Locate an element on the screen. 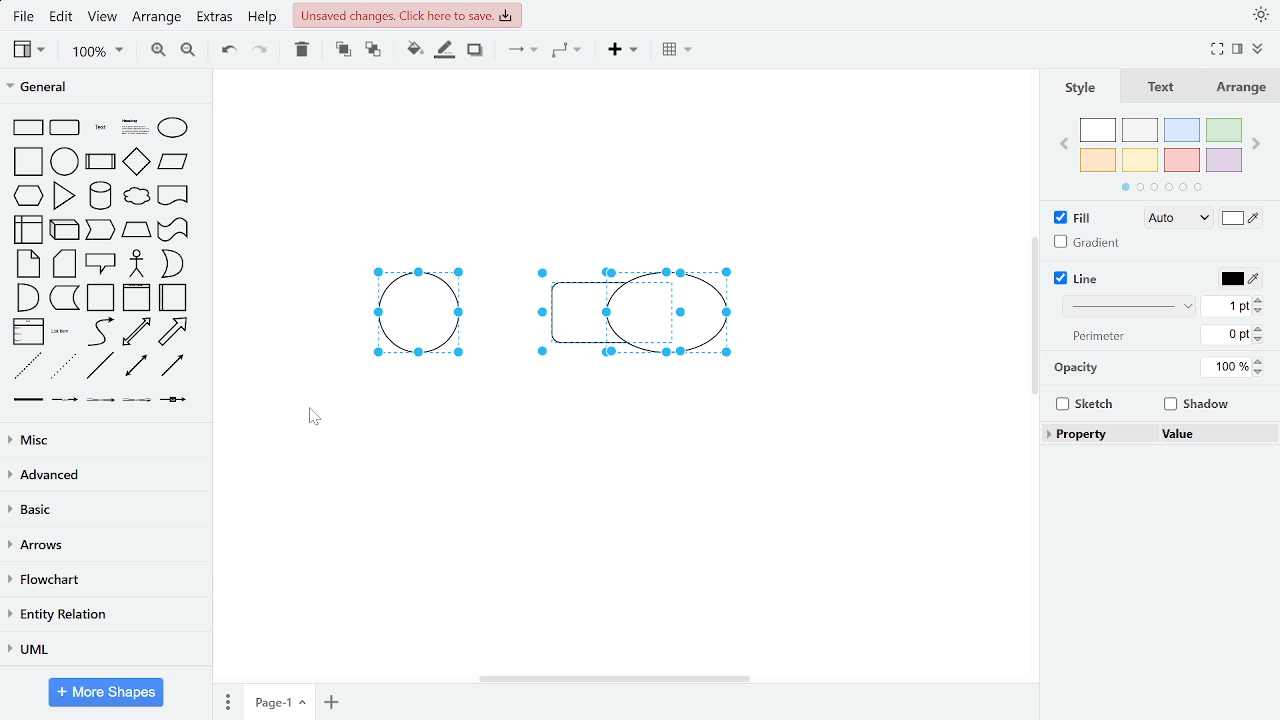 The image size is (1280, 720). more shapes is located at coordinates (108, 692).